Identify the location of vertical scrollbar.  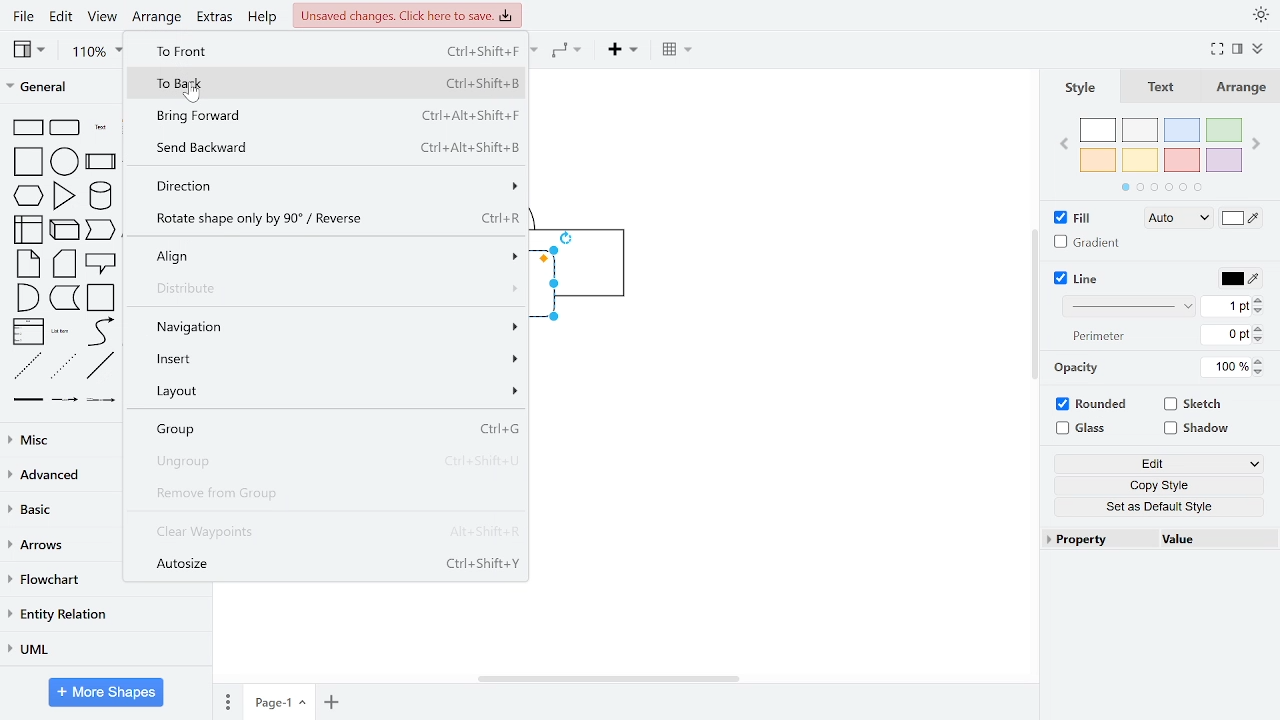
(1035, 304).